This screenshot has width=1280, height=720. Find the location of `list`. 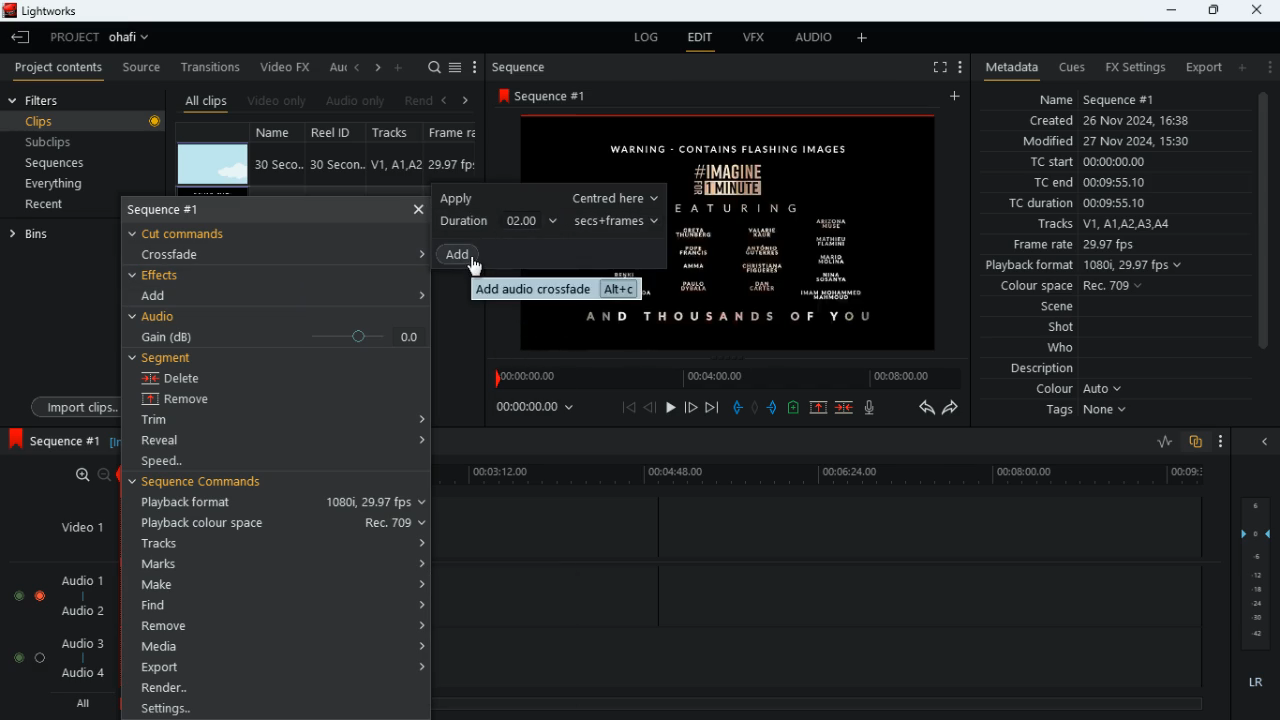

list is located at coordinates (455, 68).